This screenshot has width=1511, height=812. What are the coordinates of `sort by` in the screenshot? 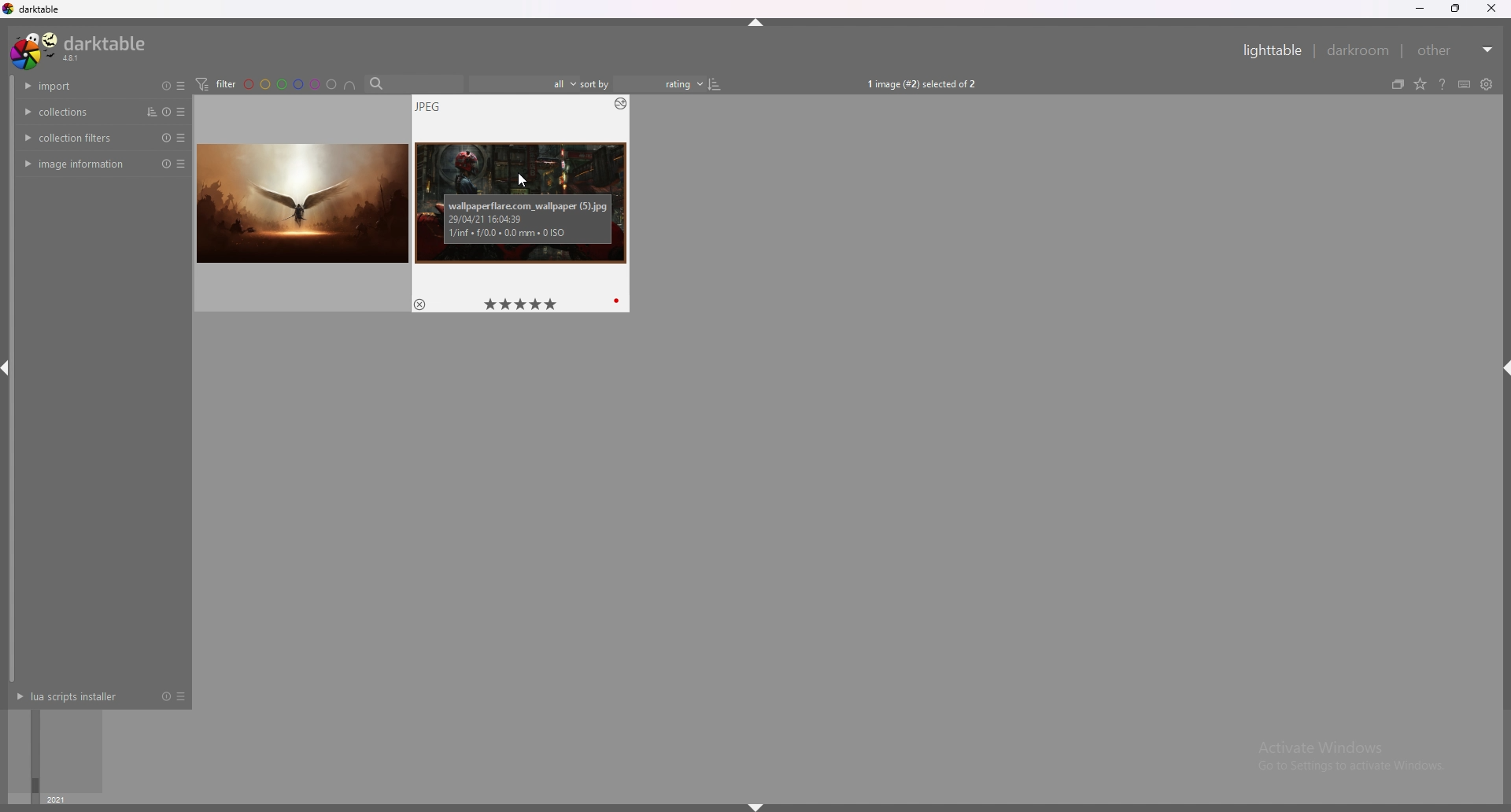 It's located at (596, 83).